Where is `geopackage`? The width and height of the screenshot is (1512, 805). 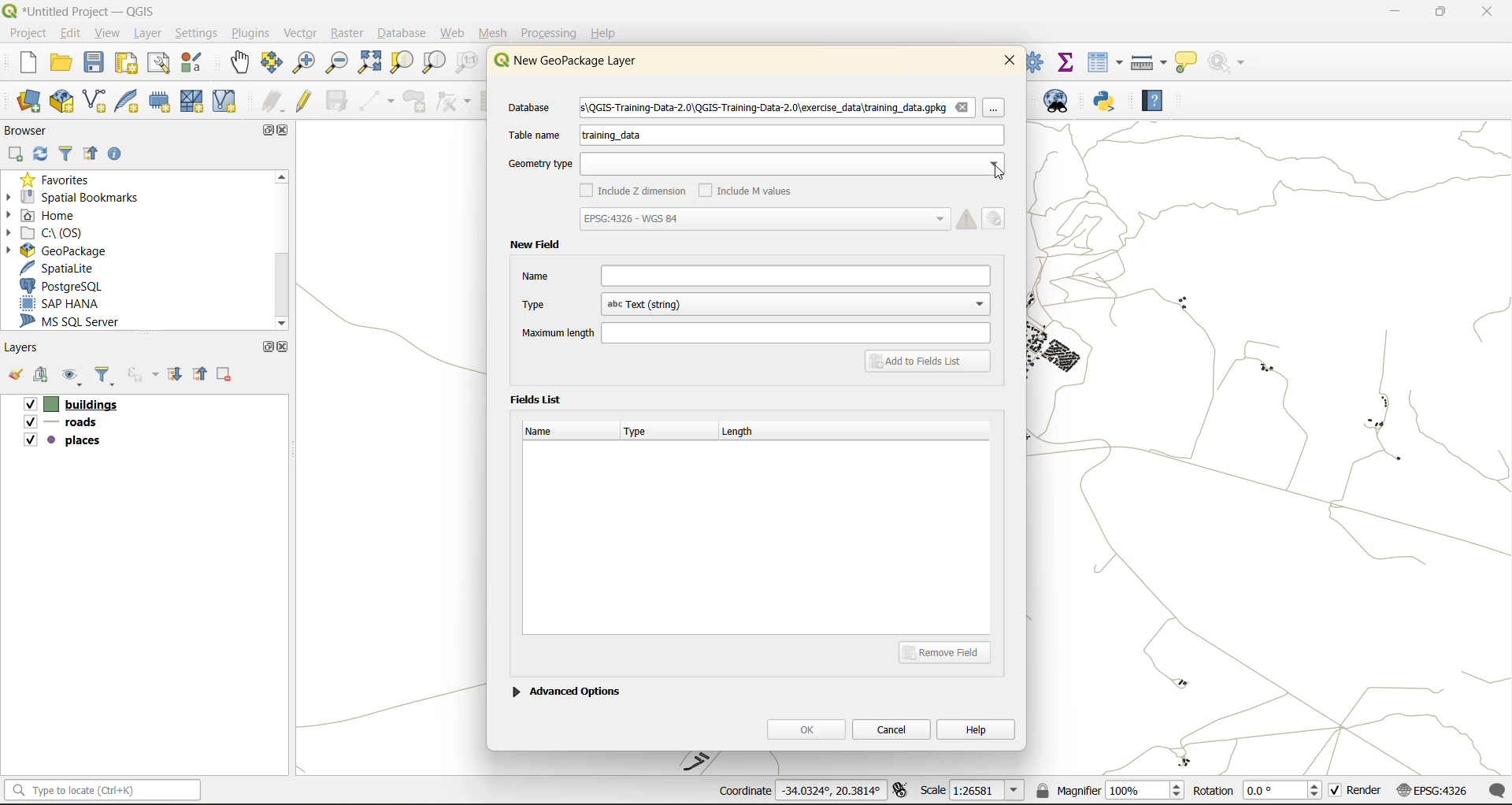 geopackage is located at coordinates (55, 249).